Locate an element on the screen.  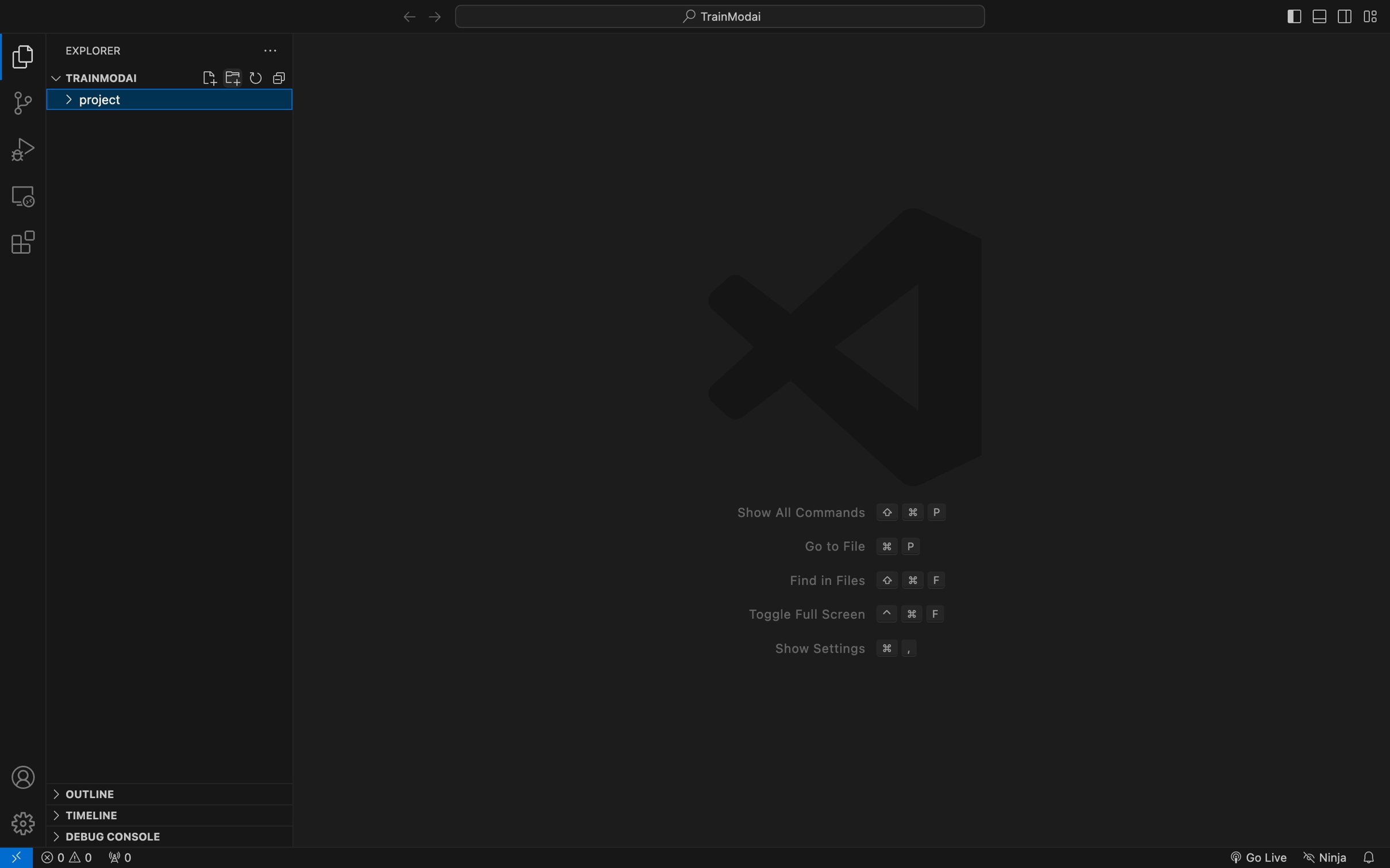
hide folder content is located at coordinates (279, 77).